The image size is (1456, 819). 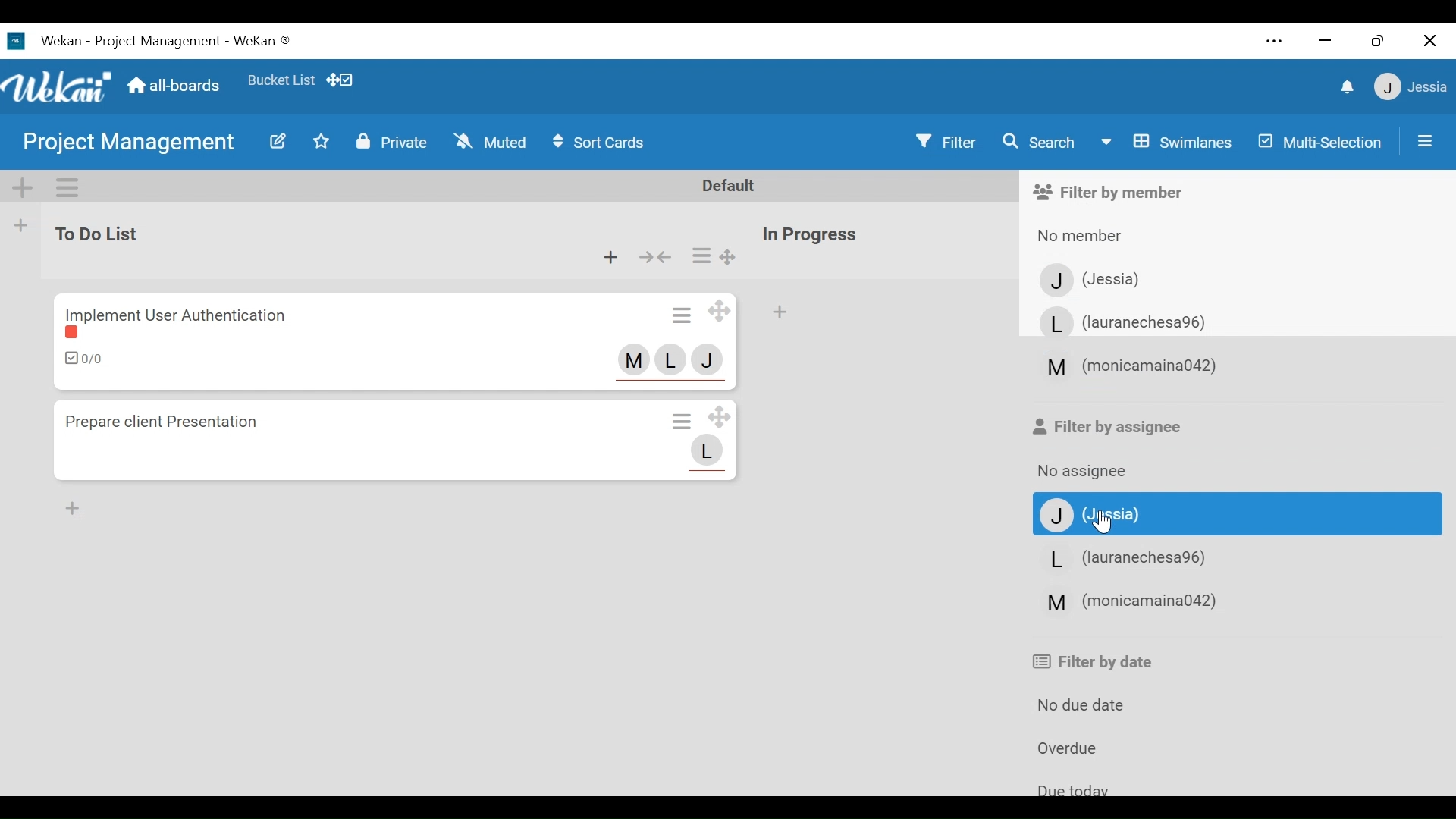 I want to click on label, so click(x=71, y=334).